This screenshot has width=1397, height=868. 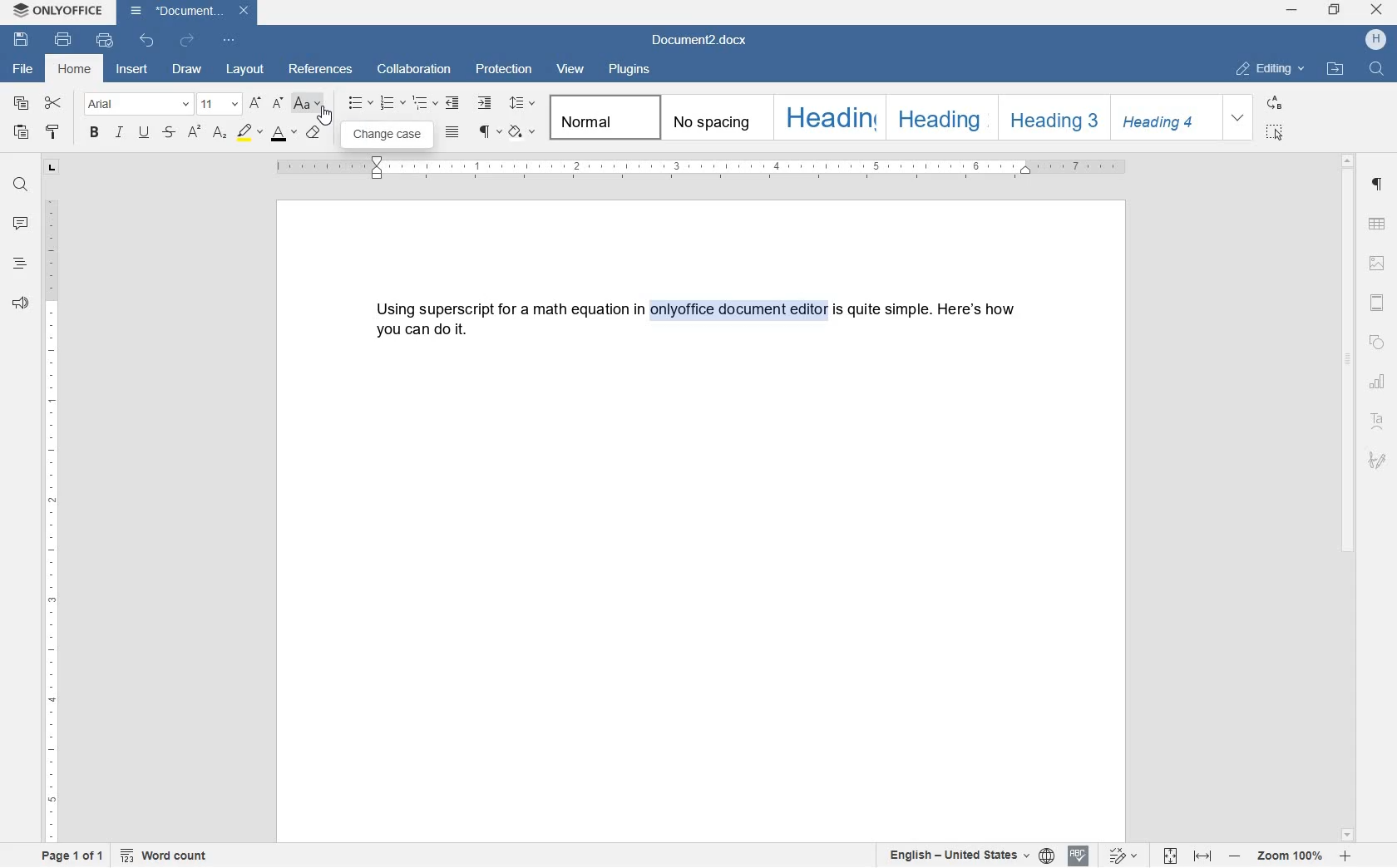 What do you see at coordinates (1275, 134) in the screenshot?
I see `SELECT ALL` at bounding box center [1275, 134].